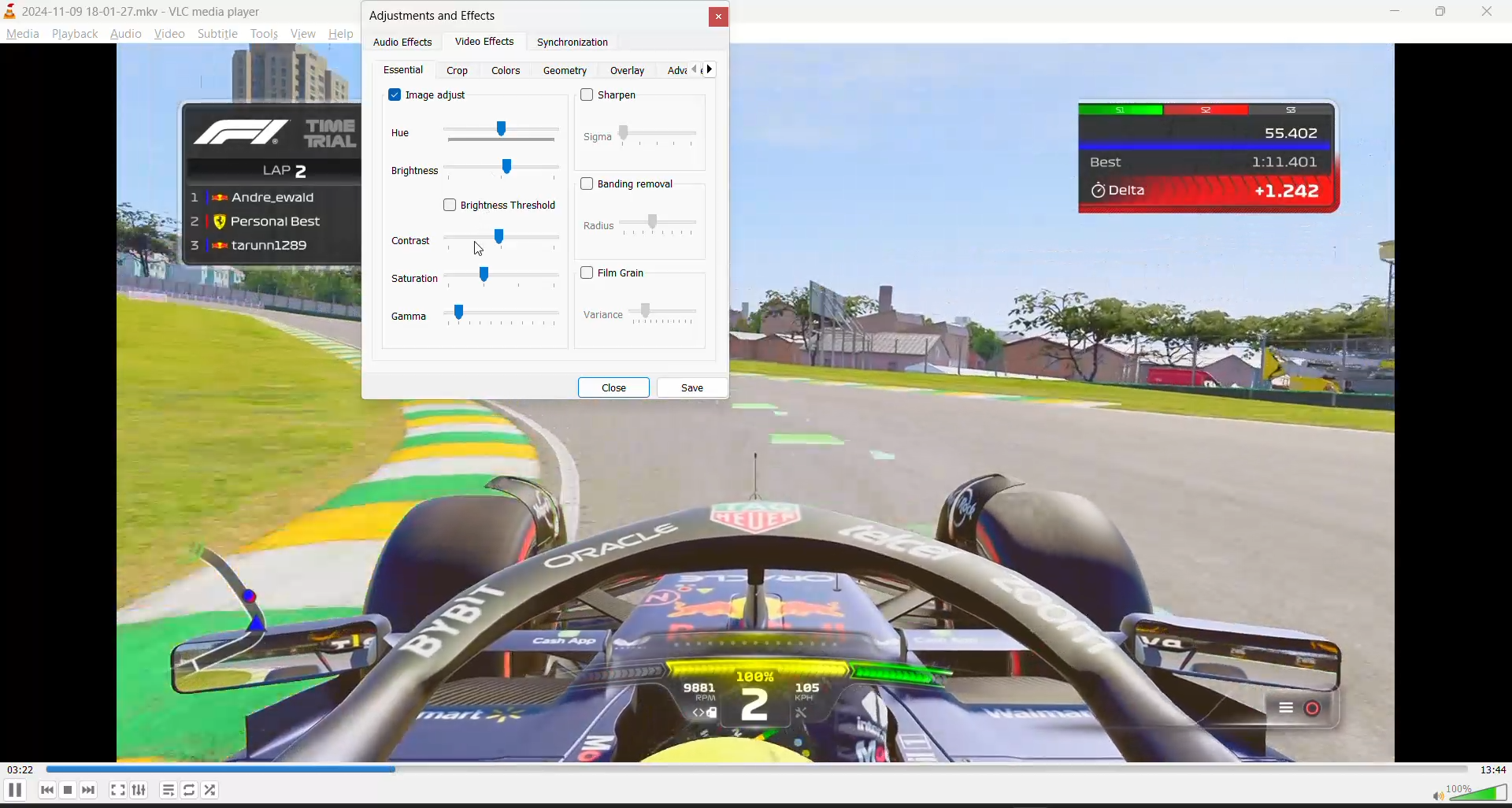 This screenshot has width=1512, height=808. Describe the element at coordinates (415, 279) in the screenshot. I see `saturation` at that location.